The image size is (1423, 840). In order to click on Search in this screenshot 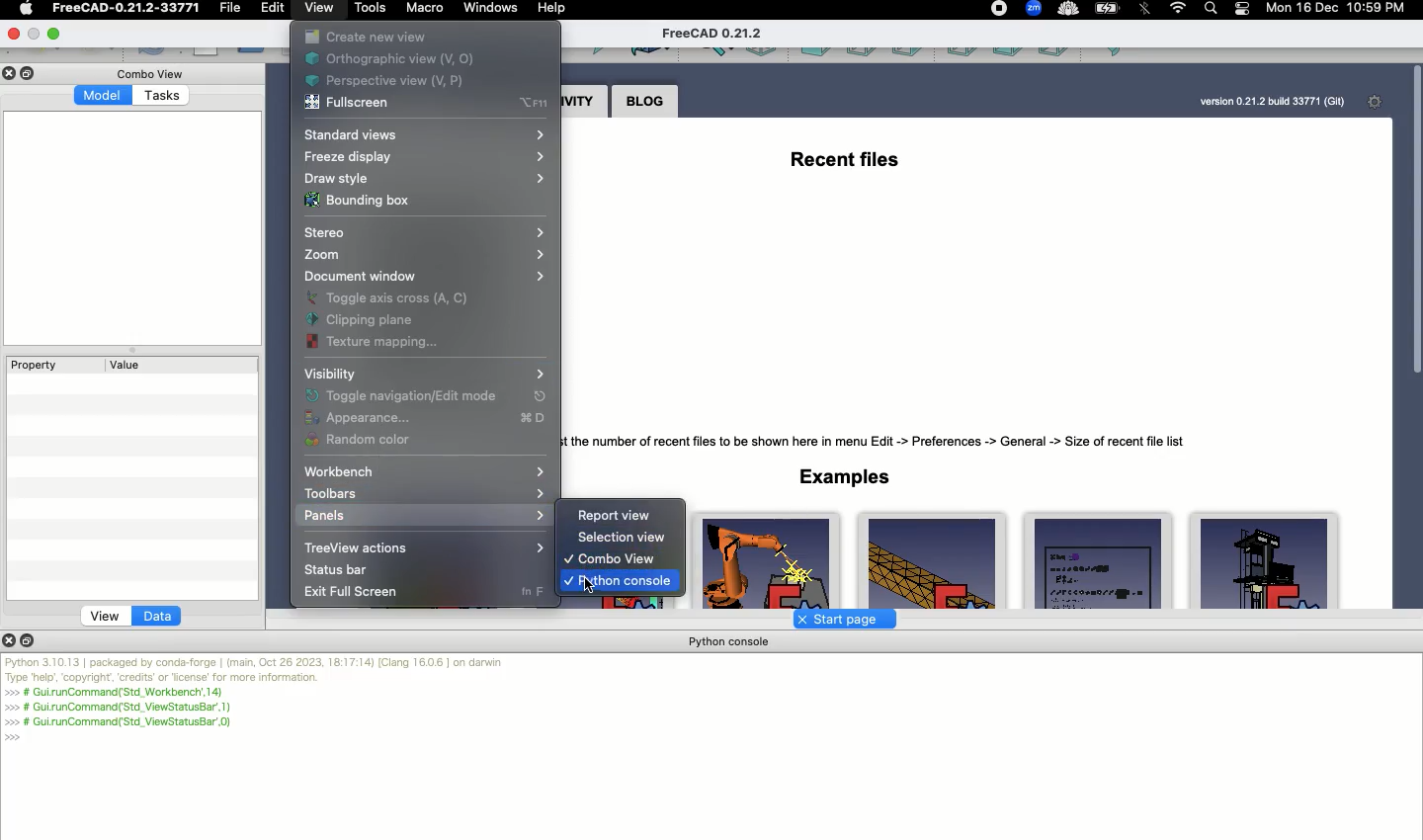, I will do `click(1210, 10)`.